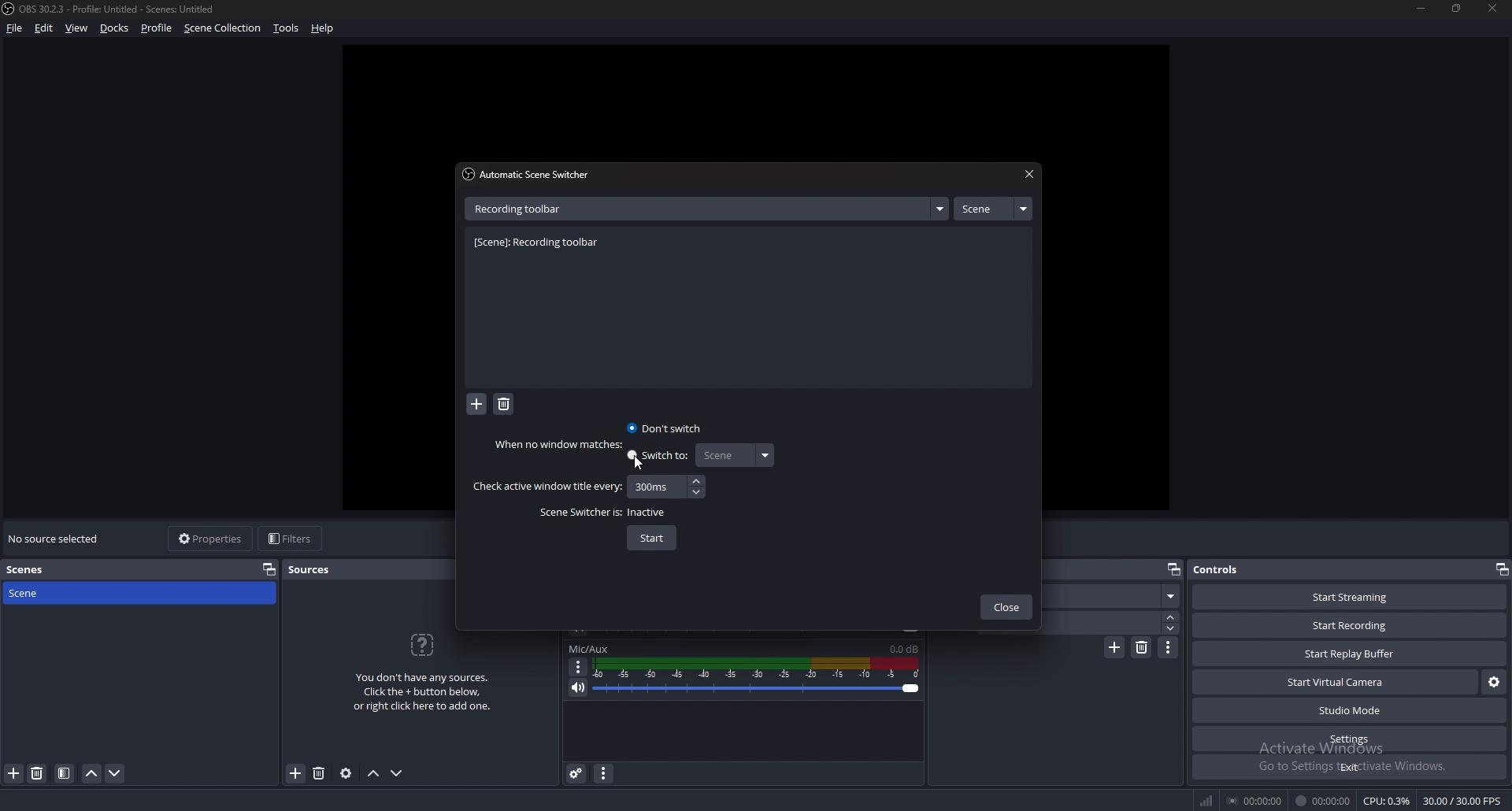 The width and height of the screenshot is (1512, 811). What do you see at coordinates (115, 28) in the screenshot?
I see `docks` at bounding box center [115, 28].